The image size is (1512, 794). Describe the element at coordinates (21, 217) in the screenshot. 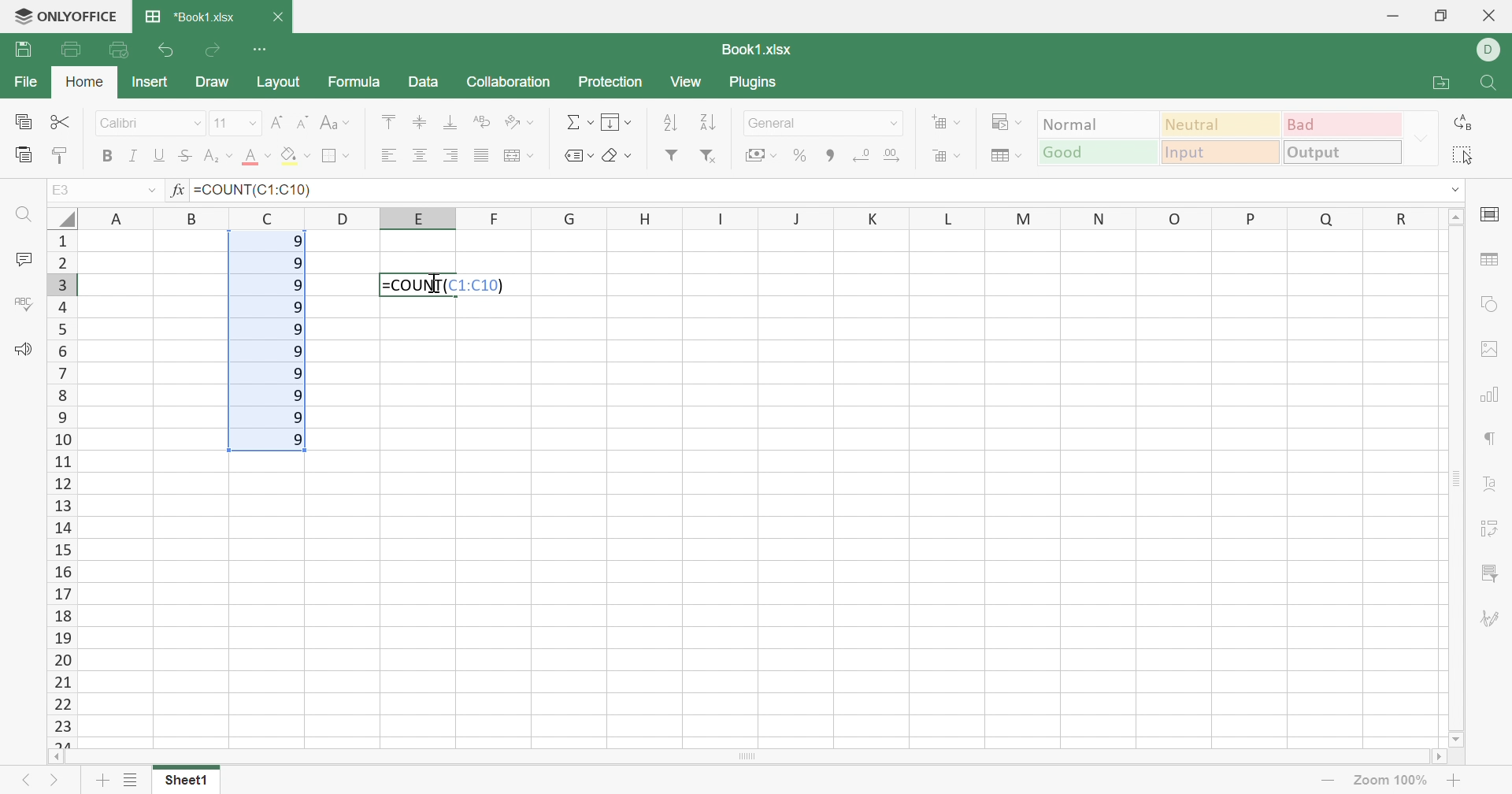

I see `Find` at that location.